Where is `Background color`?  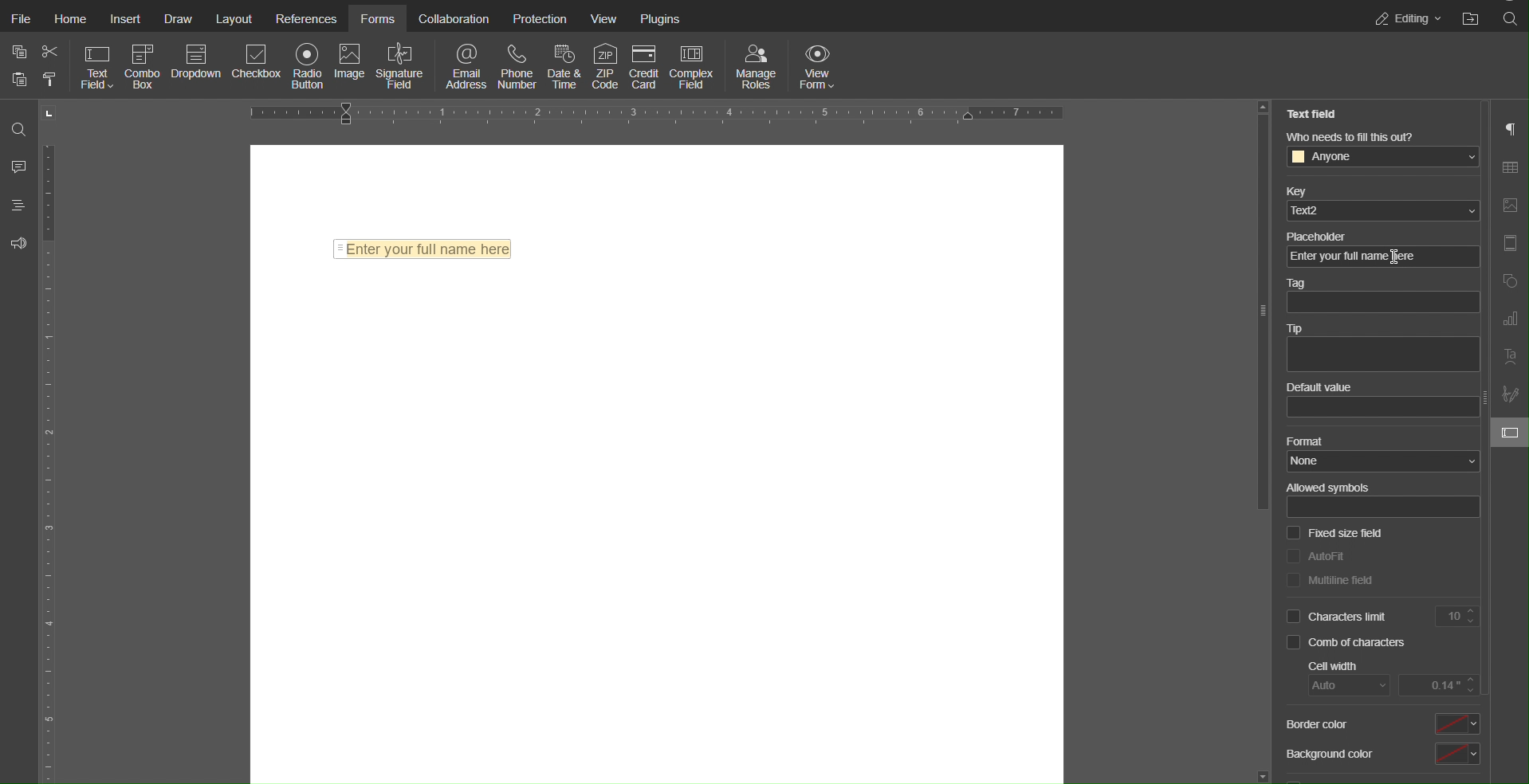
Background color is located at coordinates (1383, 753).